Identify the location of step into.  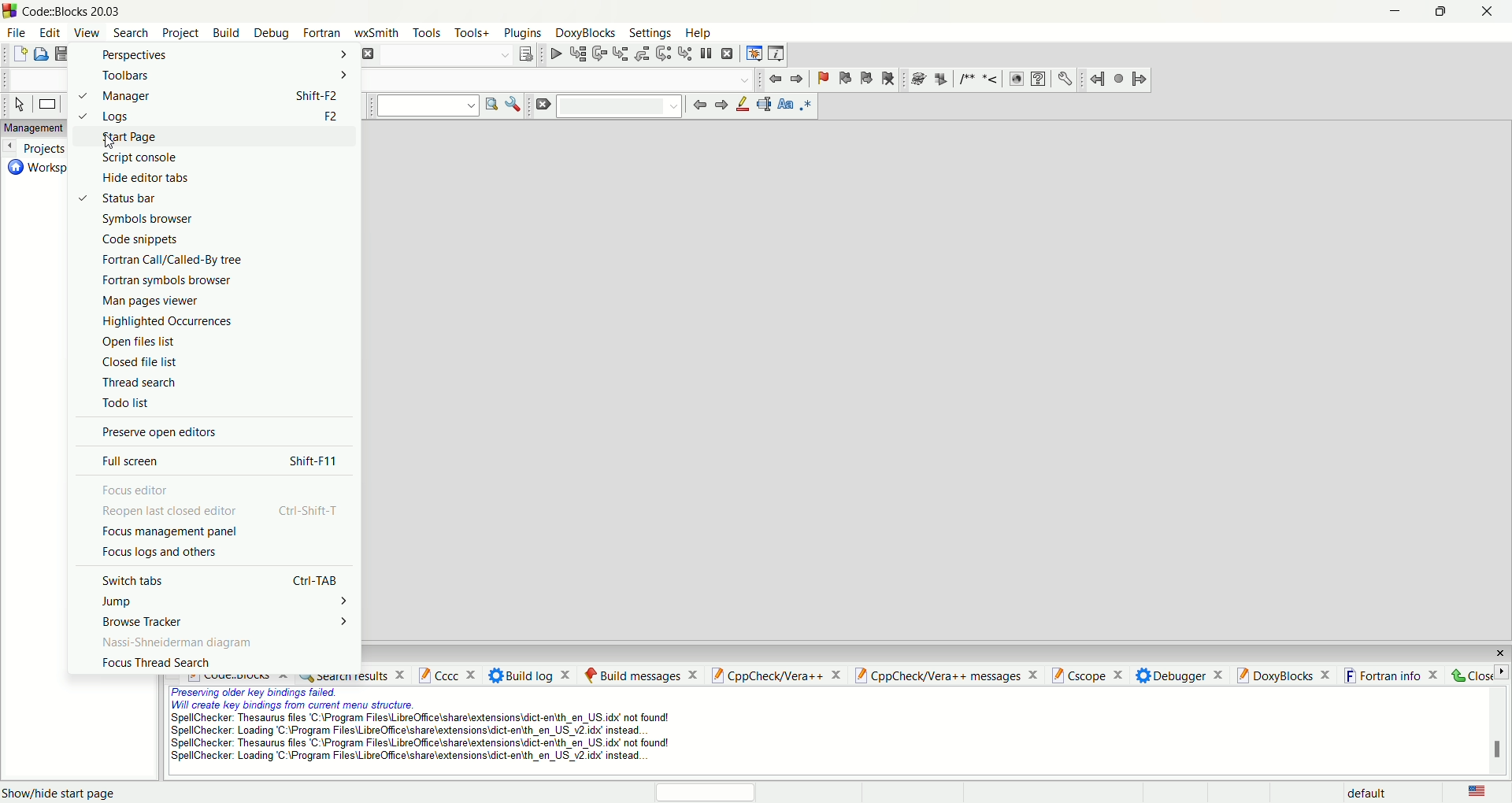
(621, 56).